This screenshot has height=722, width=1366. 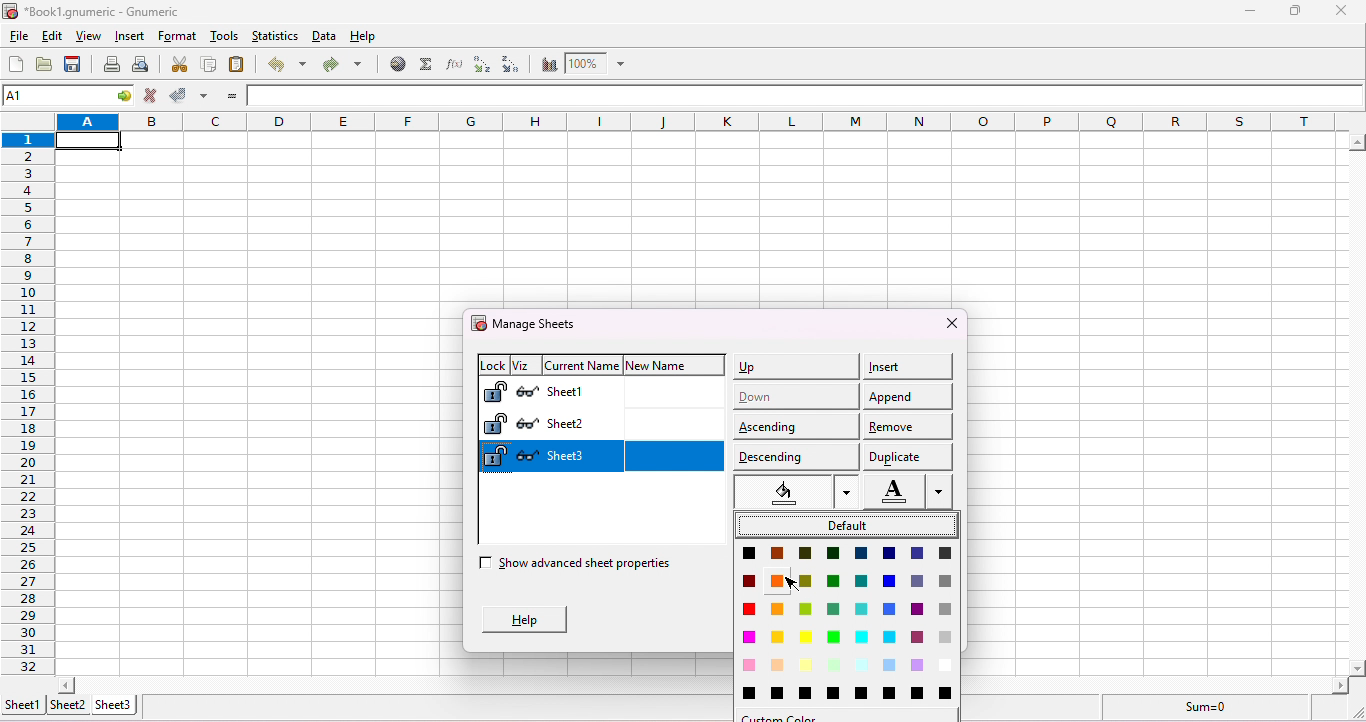 What do you see at coordinates (1251, 11) in the screenshot?
I see `minimize` at bounding box center [1251, 11].